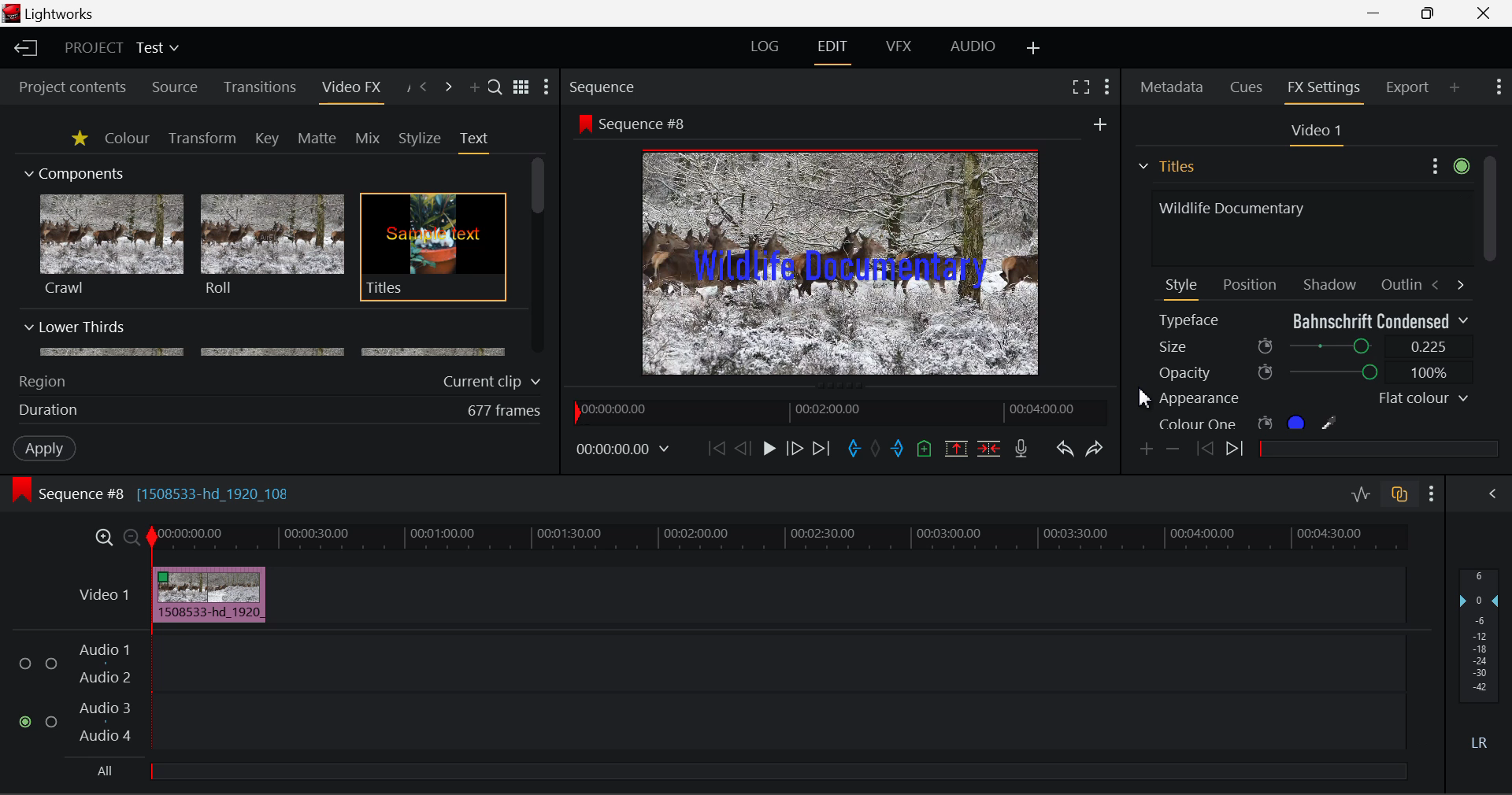  What do you see at coordinates (1408, 87) in the screenshot?
I see `Export` at bounding box center [1408, 87].